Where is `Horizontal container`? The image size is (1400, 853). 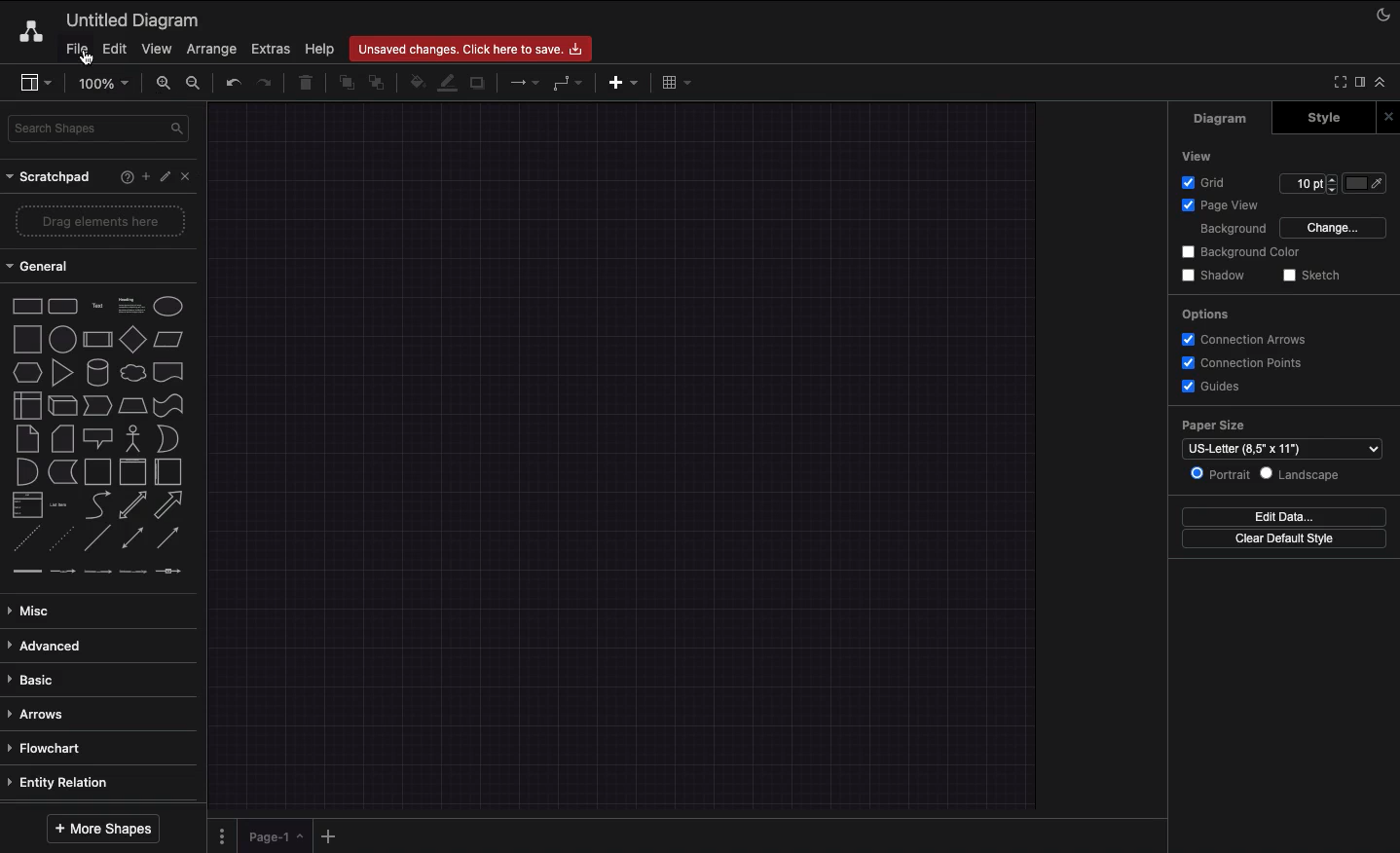 Horizontal container is located at coordinates (169, 471).